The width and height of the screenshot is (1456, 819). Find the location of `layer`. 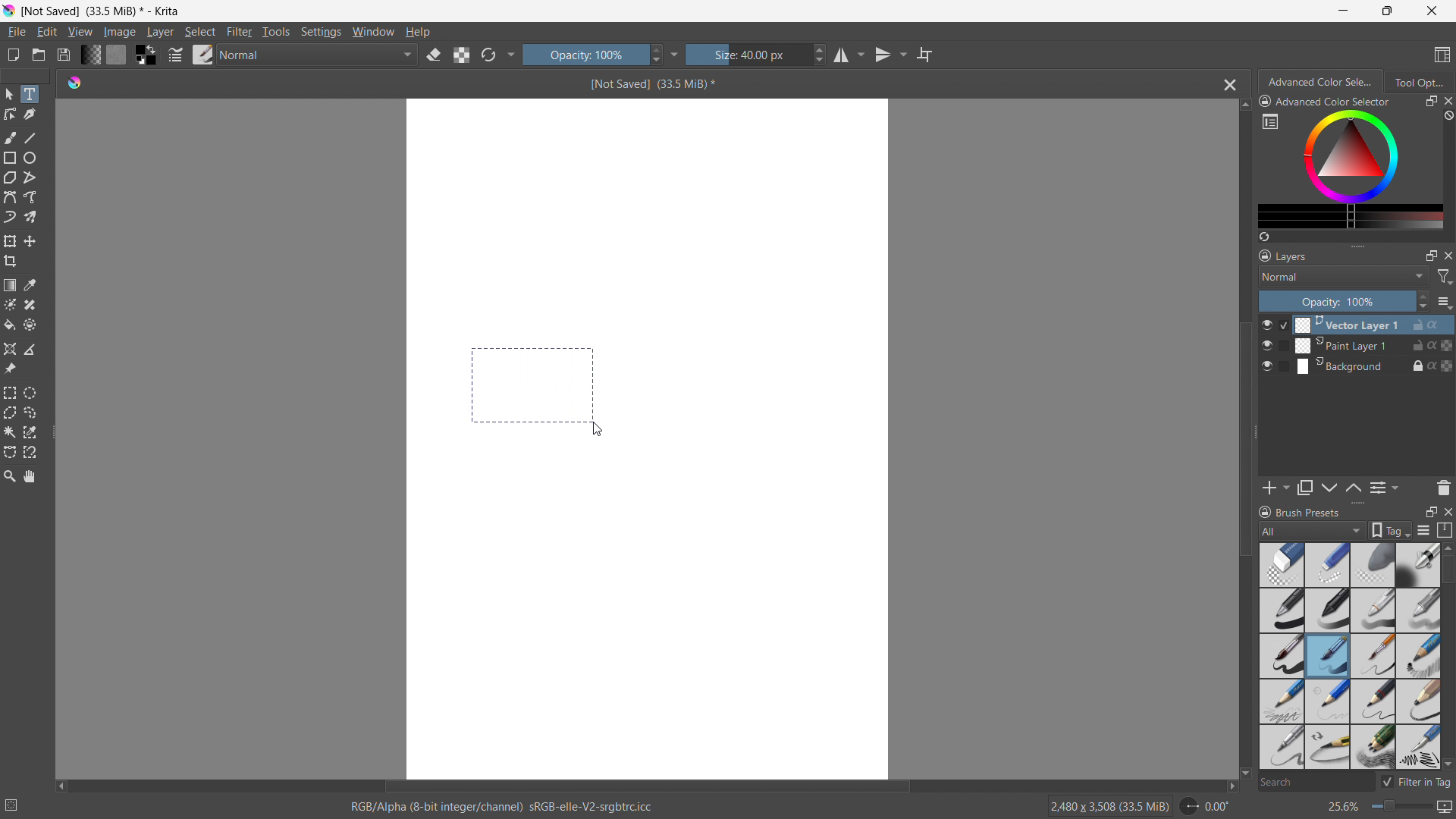

layer is located at coordinates (160, 32).